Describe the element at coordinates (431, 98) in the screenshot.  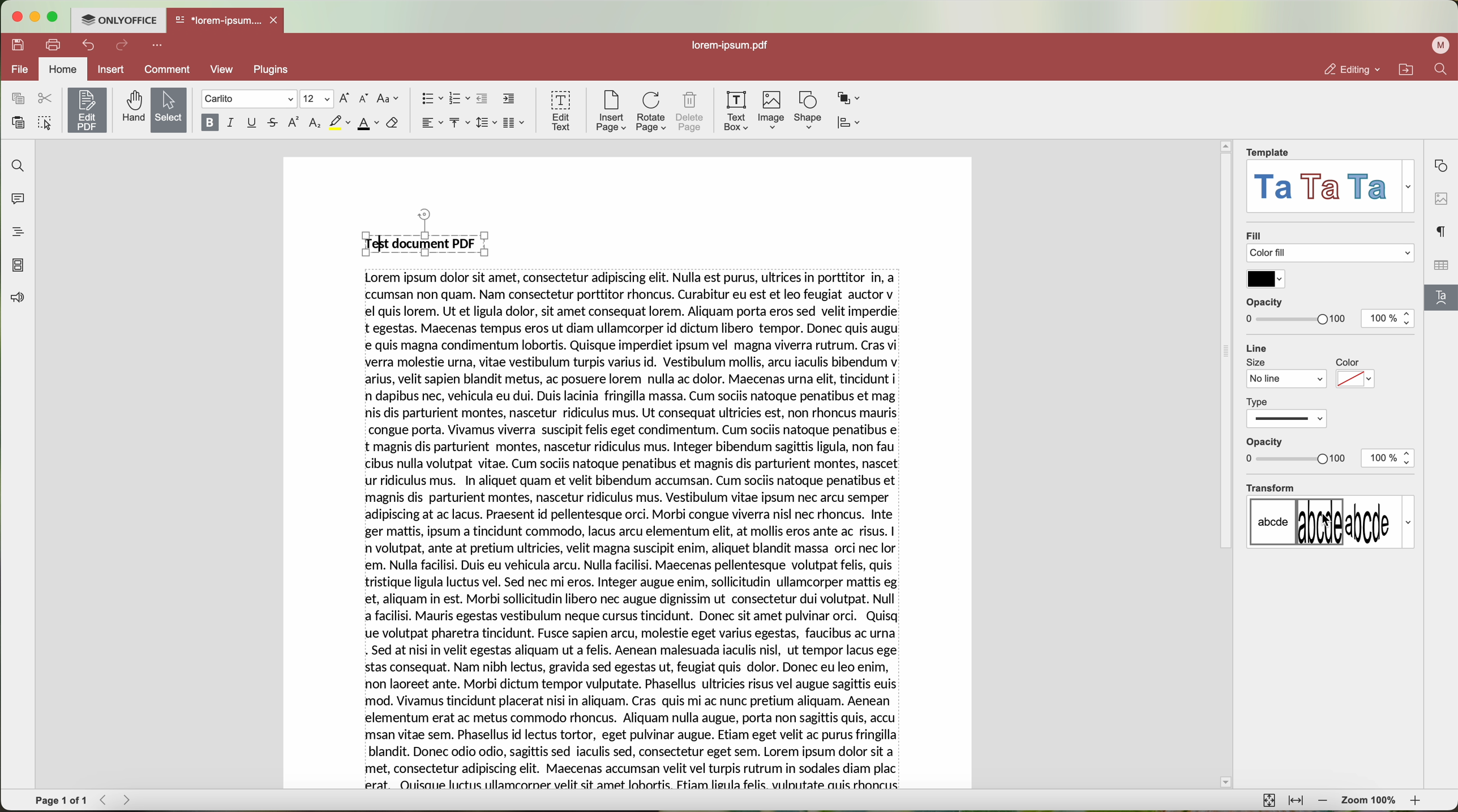
I see `bullets` at that location.